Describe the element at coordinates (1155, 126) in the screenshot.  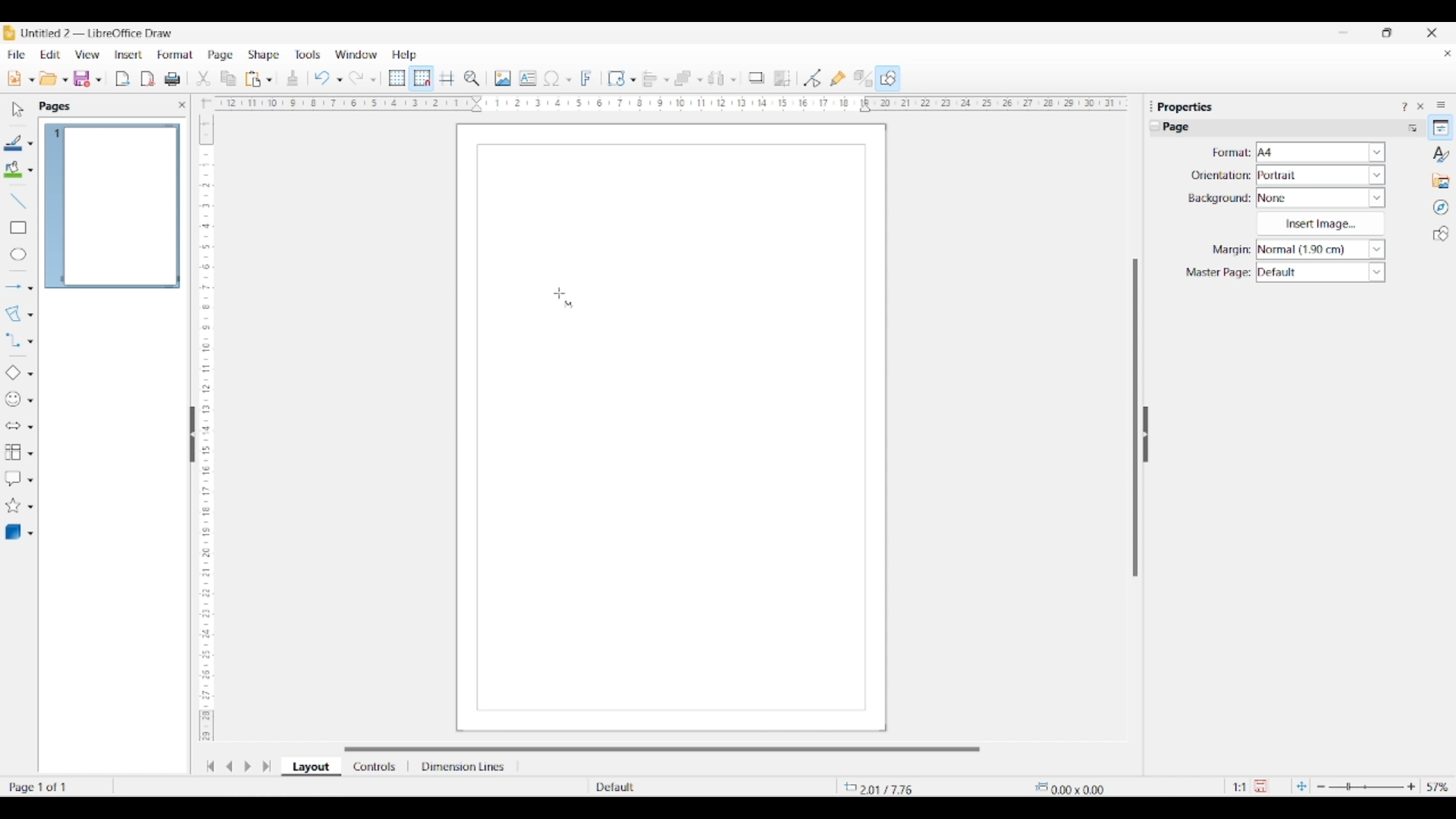
I see `Collapse page settings` at that location.